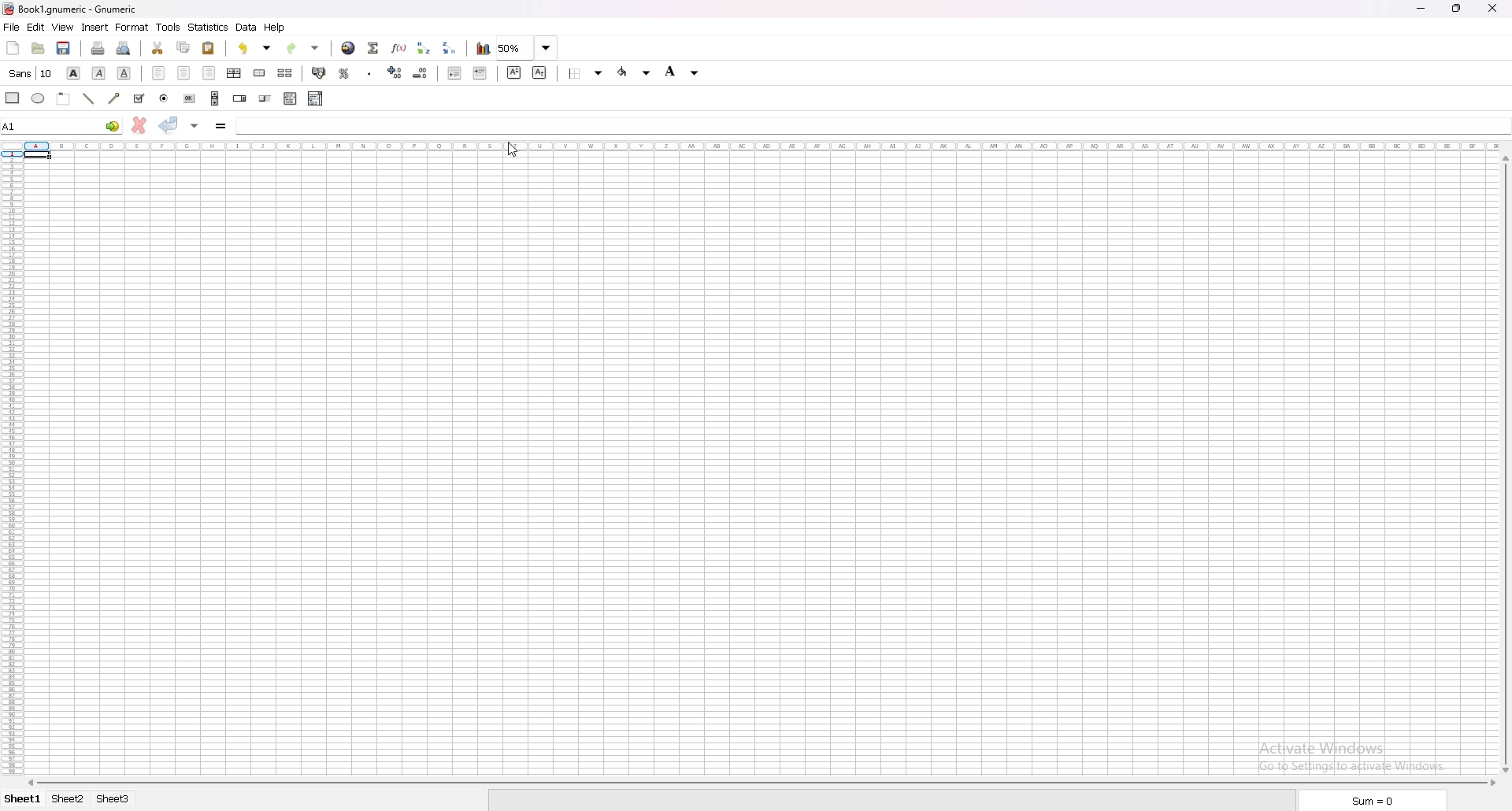 Image resolution: width=1512 pixels, height=811 pixels. I want to click on tools, so click(169, 26).